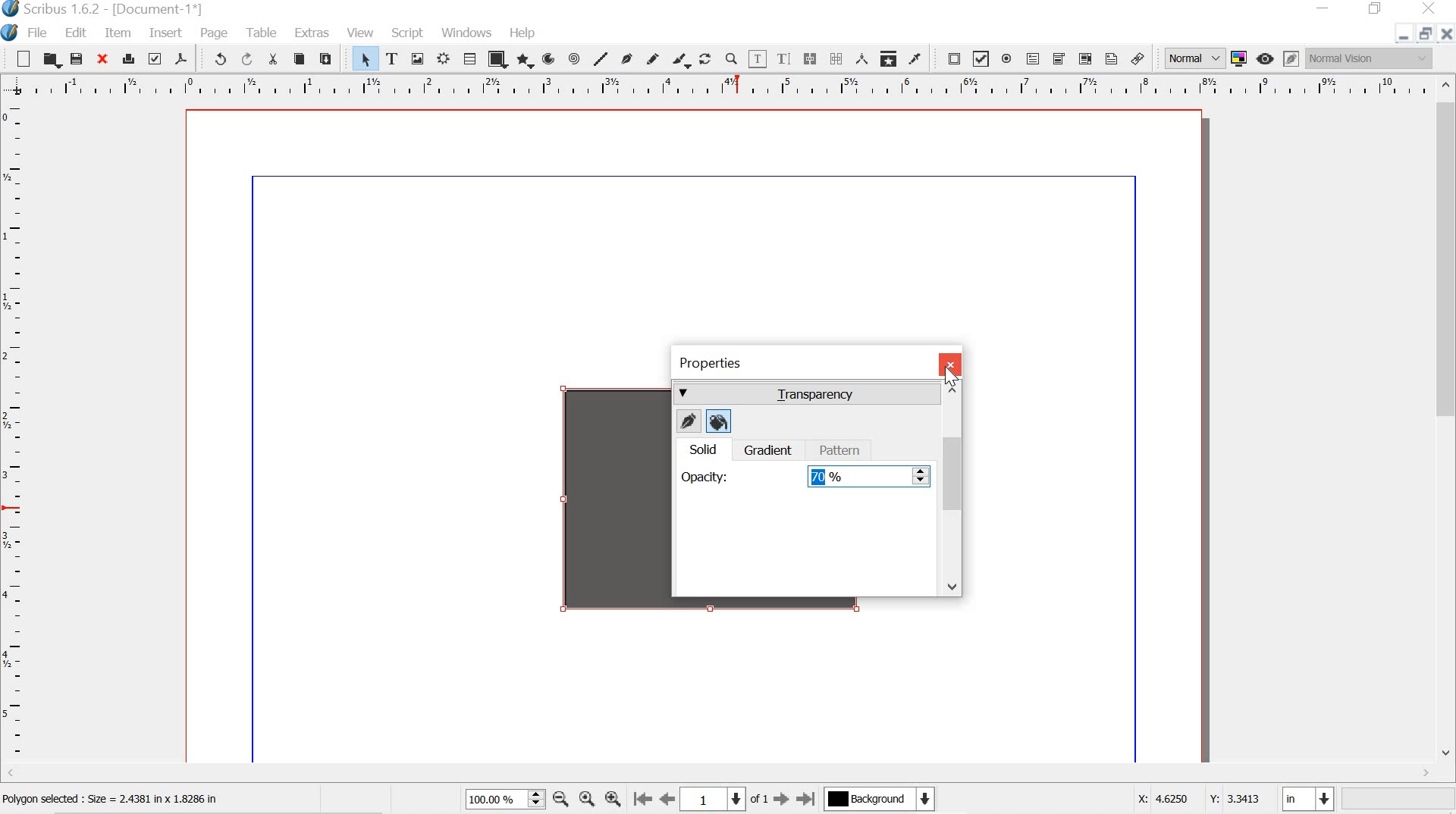 The width and height of the screenshot is (1456, 814). What do you see at coordinates (767, 450) in the screenshot?
I see `gradient` at bounding box center [767, 450].